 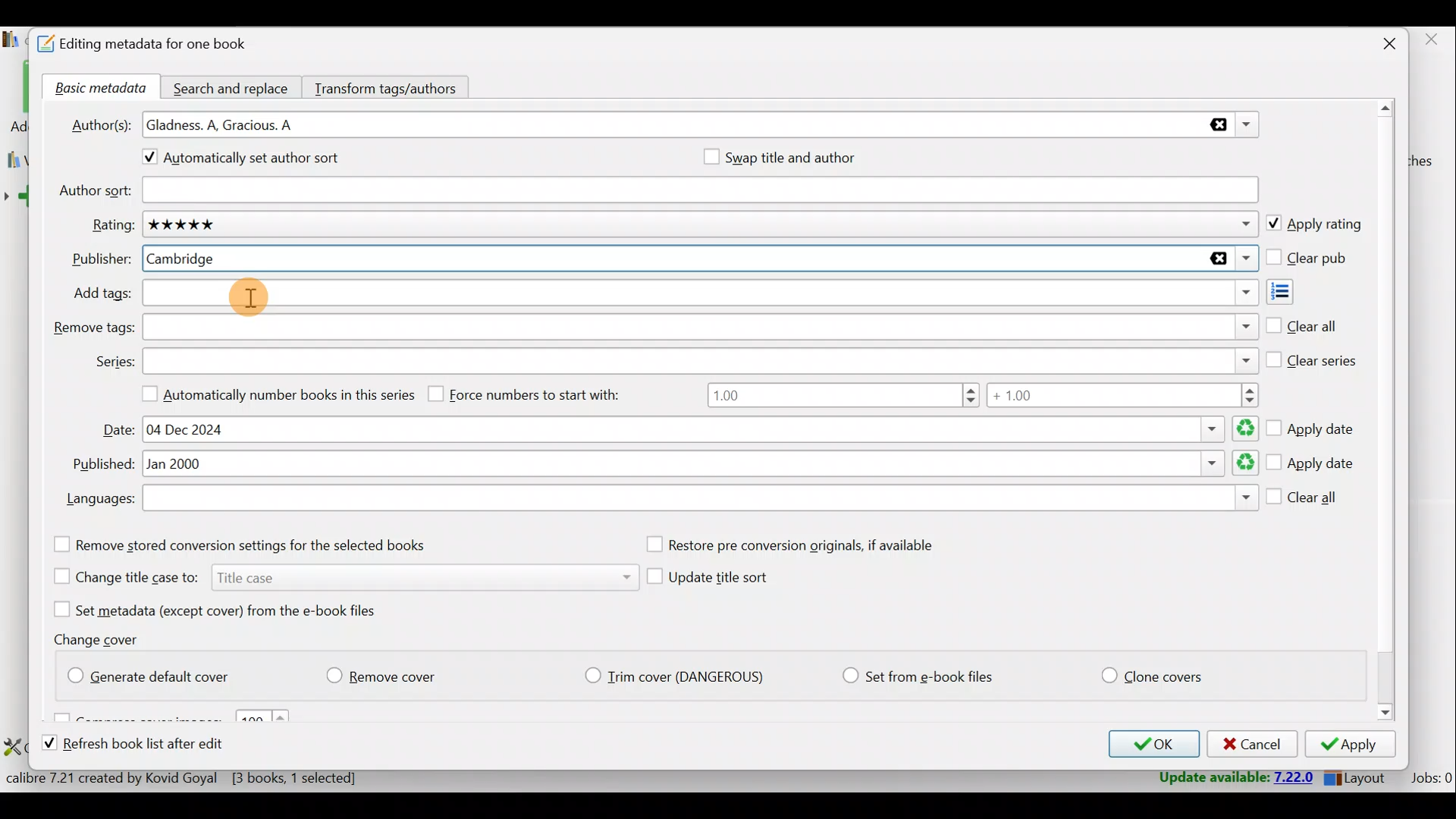 I want to click on Trim cover (Dangerious), so click(x=679, y=678).